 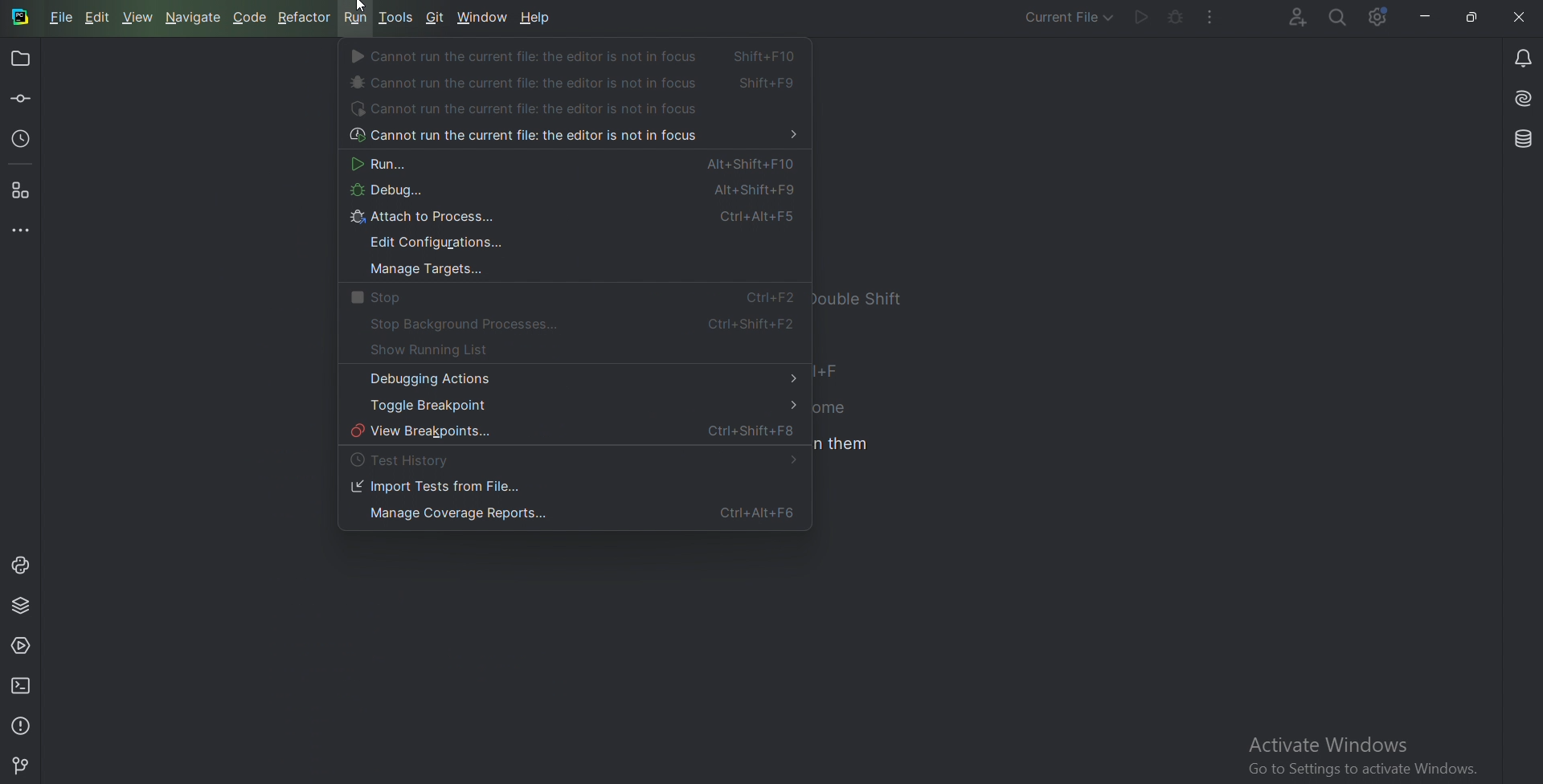 What do you see at coordinates (141, 18) in the screenshot?
I see `view` at bounding box center [141, 18].